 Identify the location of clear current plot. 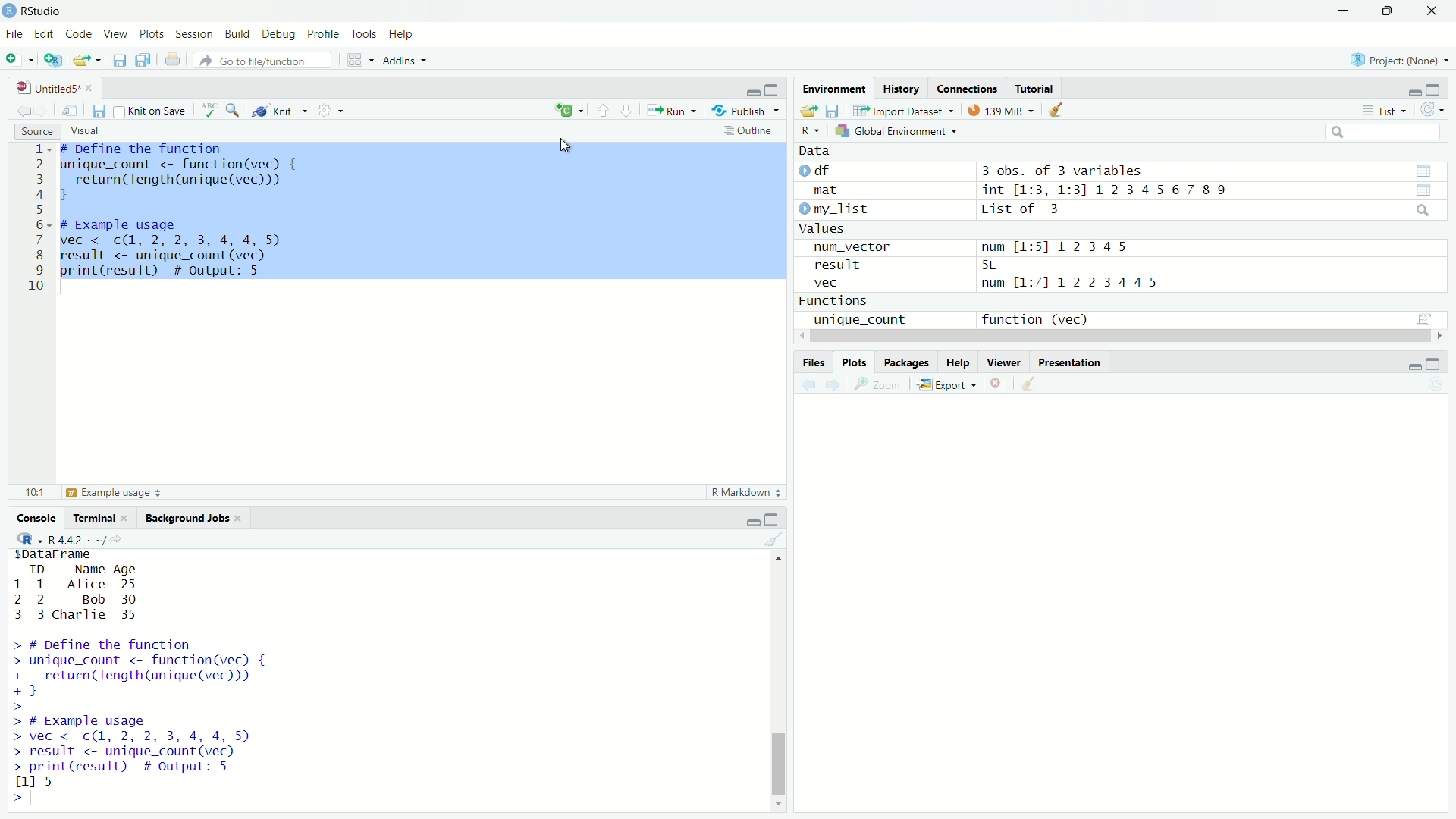
(998, 384).